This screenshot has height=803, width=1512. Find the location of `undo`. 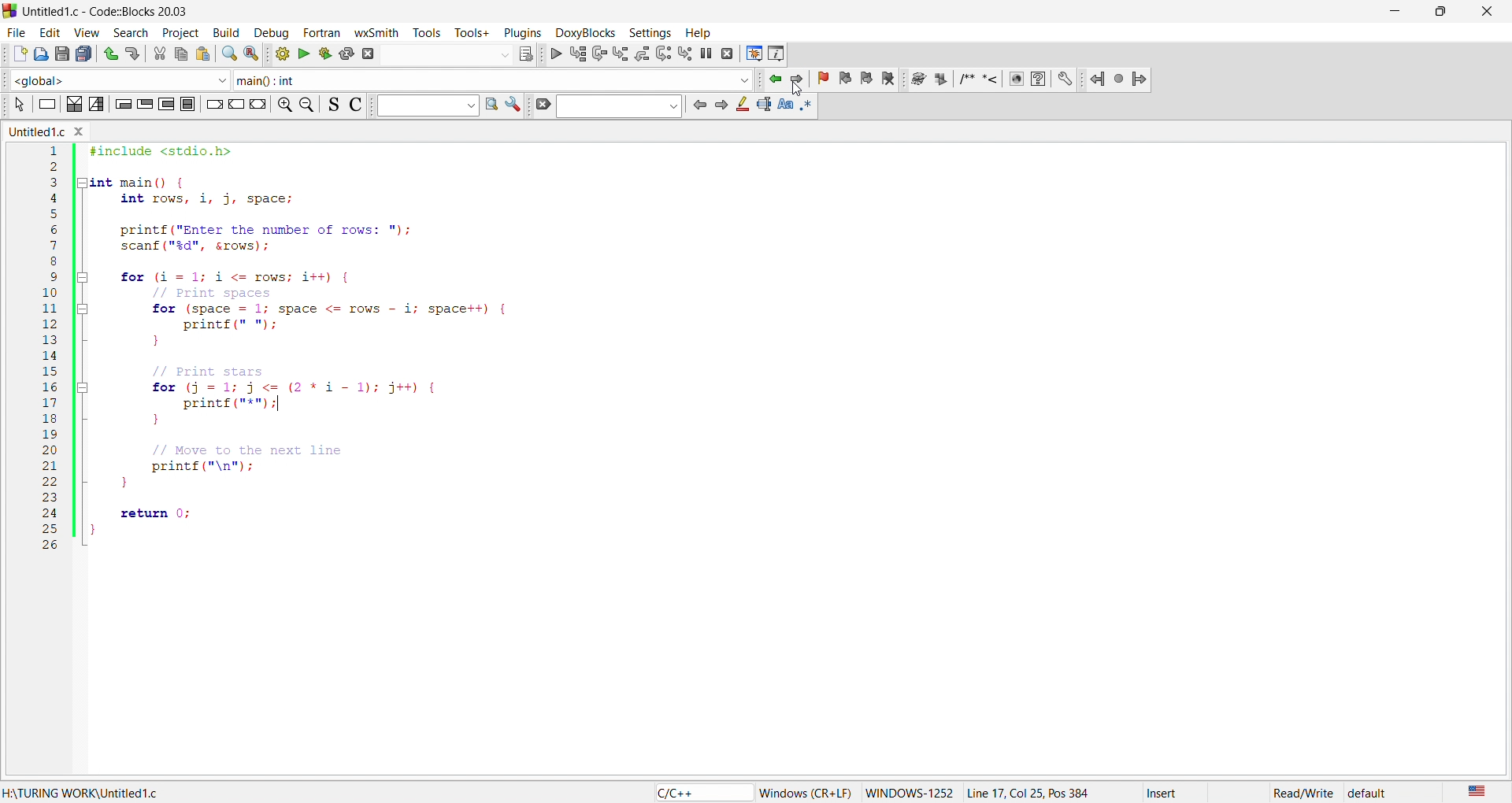

undo is located at coordinates (108, 53).